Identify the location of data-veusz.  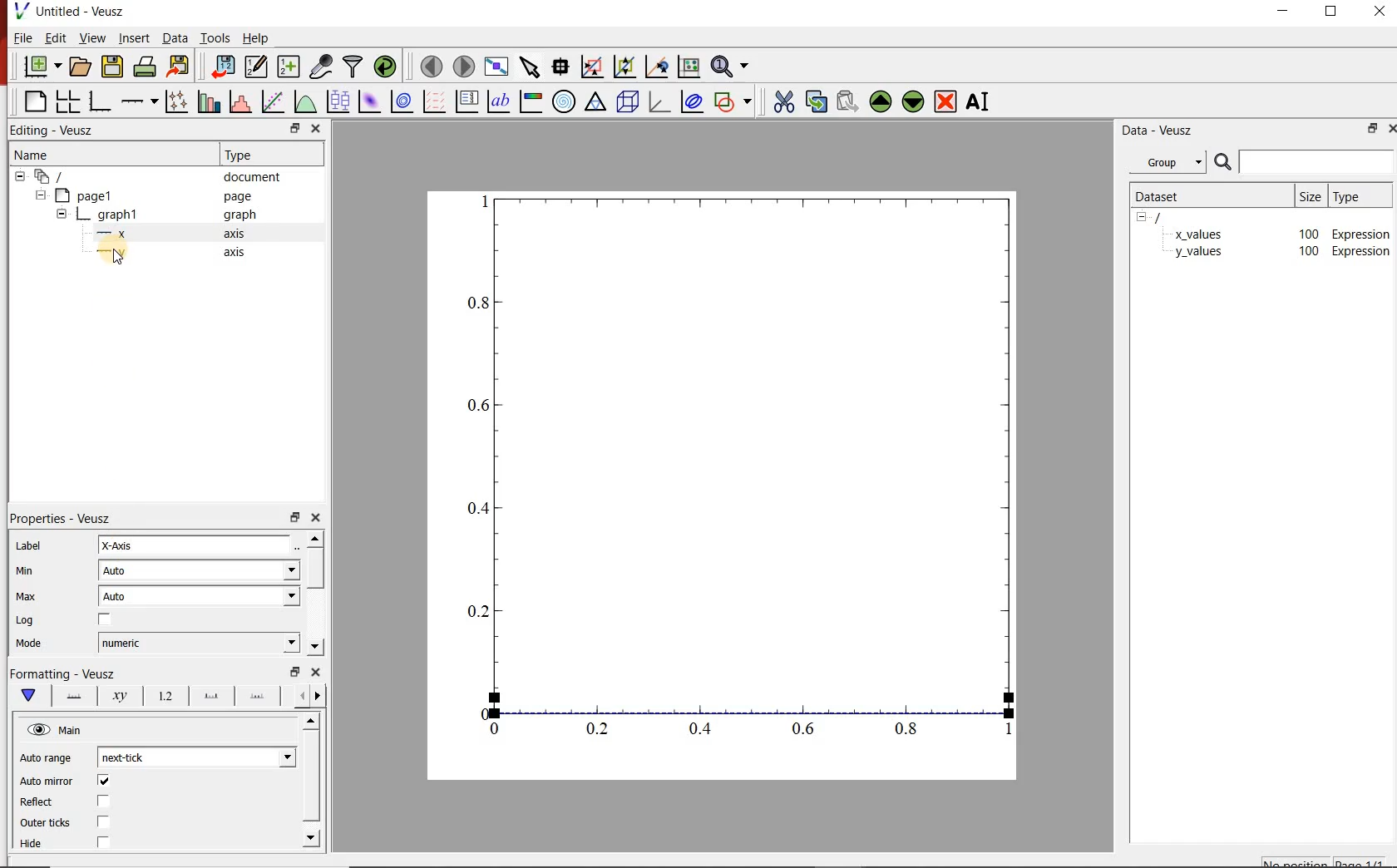
(1158, 132).